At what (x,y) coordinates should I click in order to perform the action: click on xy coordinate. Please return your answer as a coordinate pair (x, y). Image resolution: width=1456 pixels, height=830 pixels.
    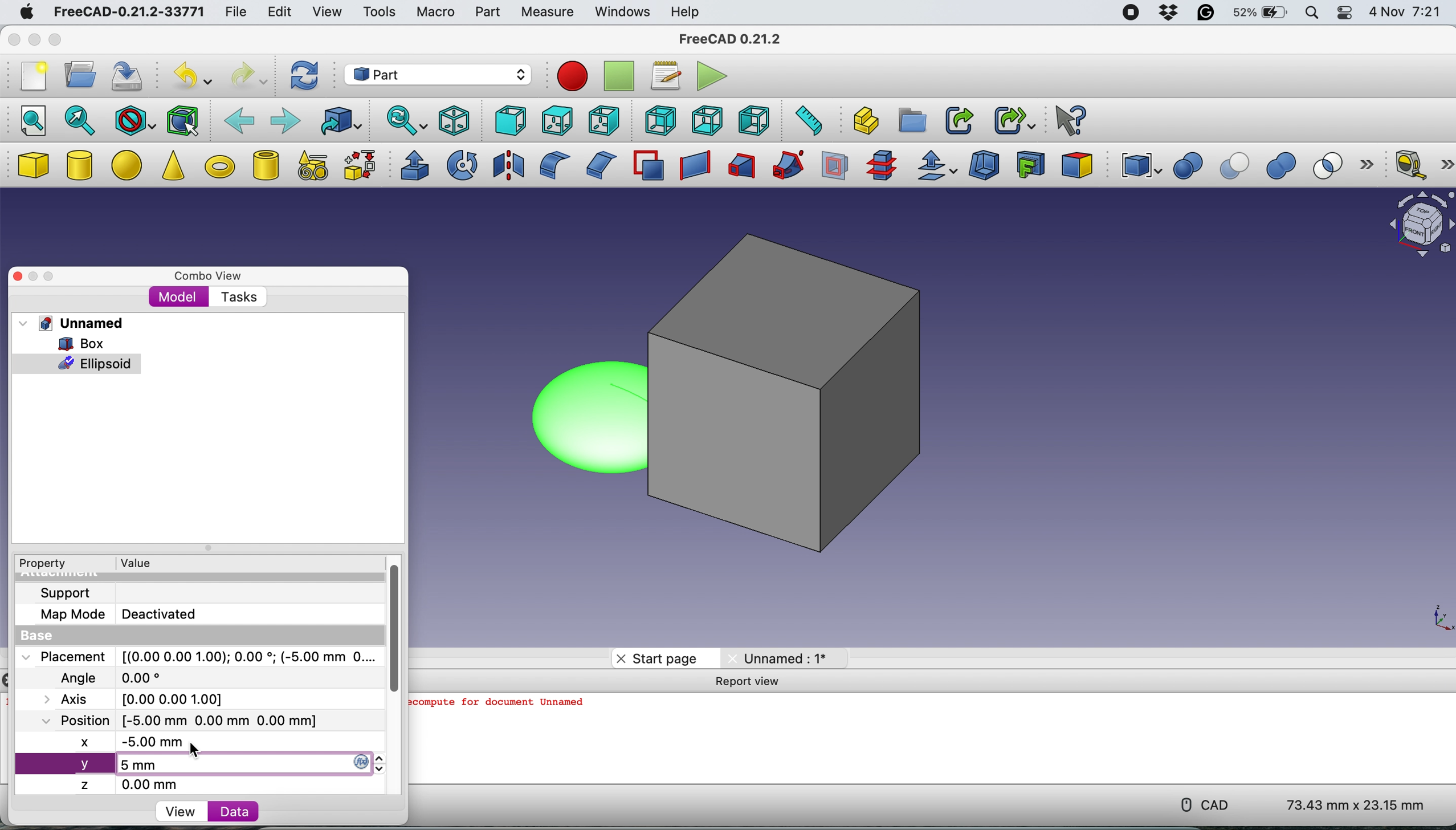
    Looking at the image, I should click on (1431, 616).